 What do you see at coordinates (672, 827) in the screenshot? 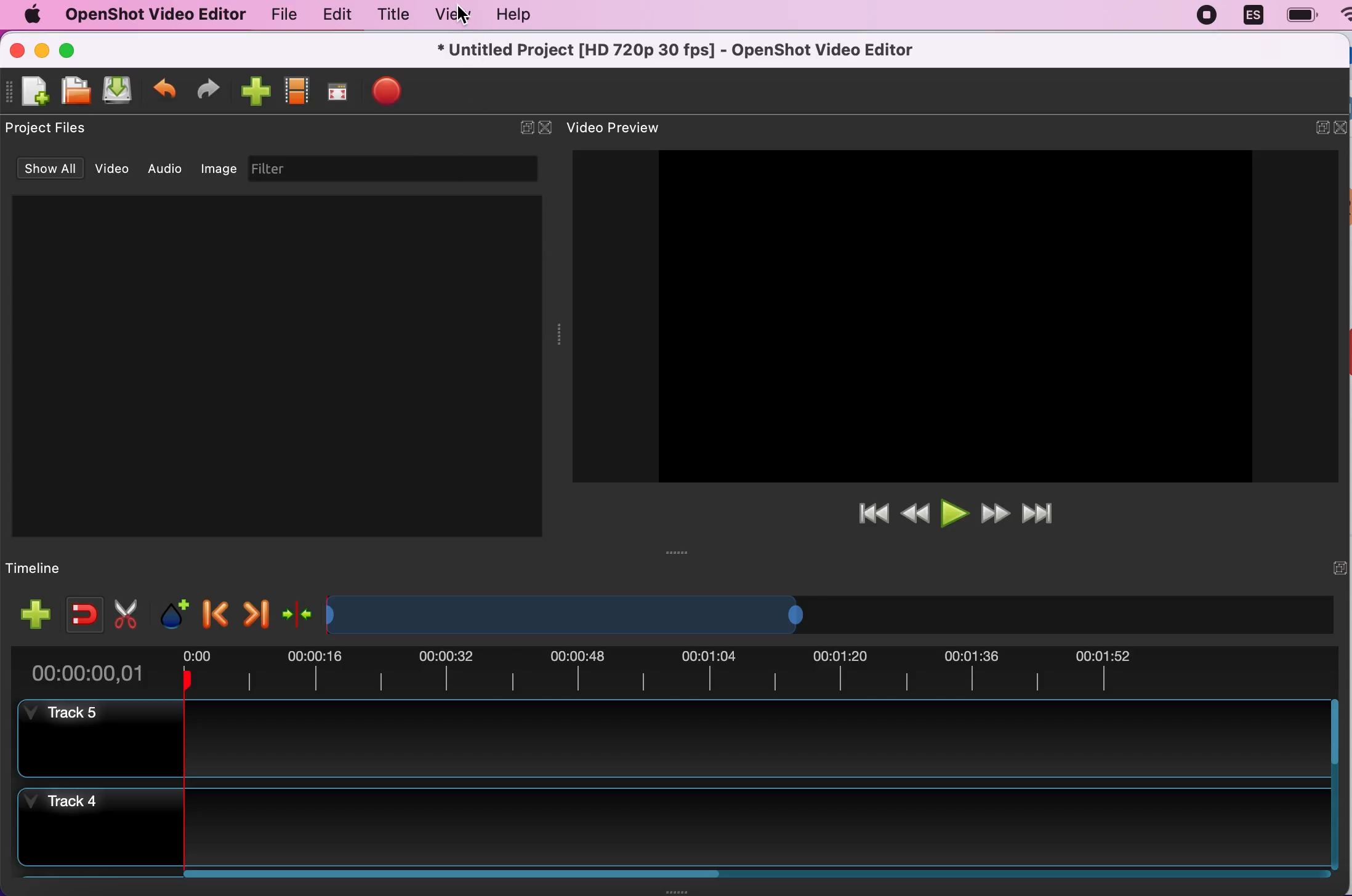
I see `track 4` at bounding box center [672, 827].